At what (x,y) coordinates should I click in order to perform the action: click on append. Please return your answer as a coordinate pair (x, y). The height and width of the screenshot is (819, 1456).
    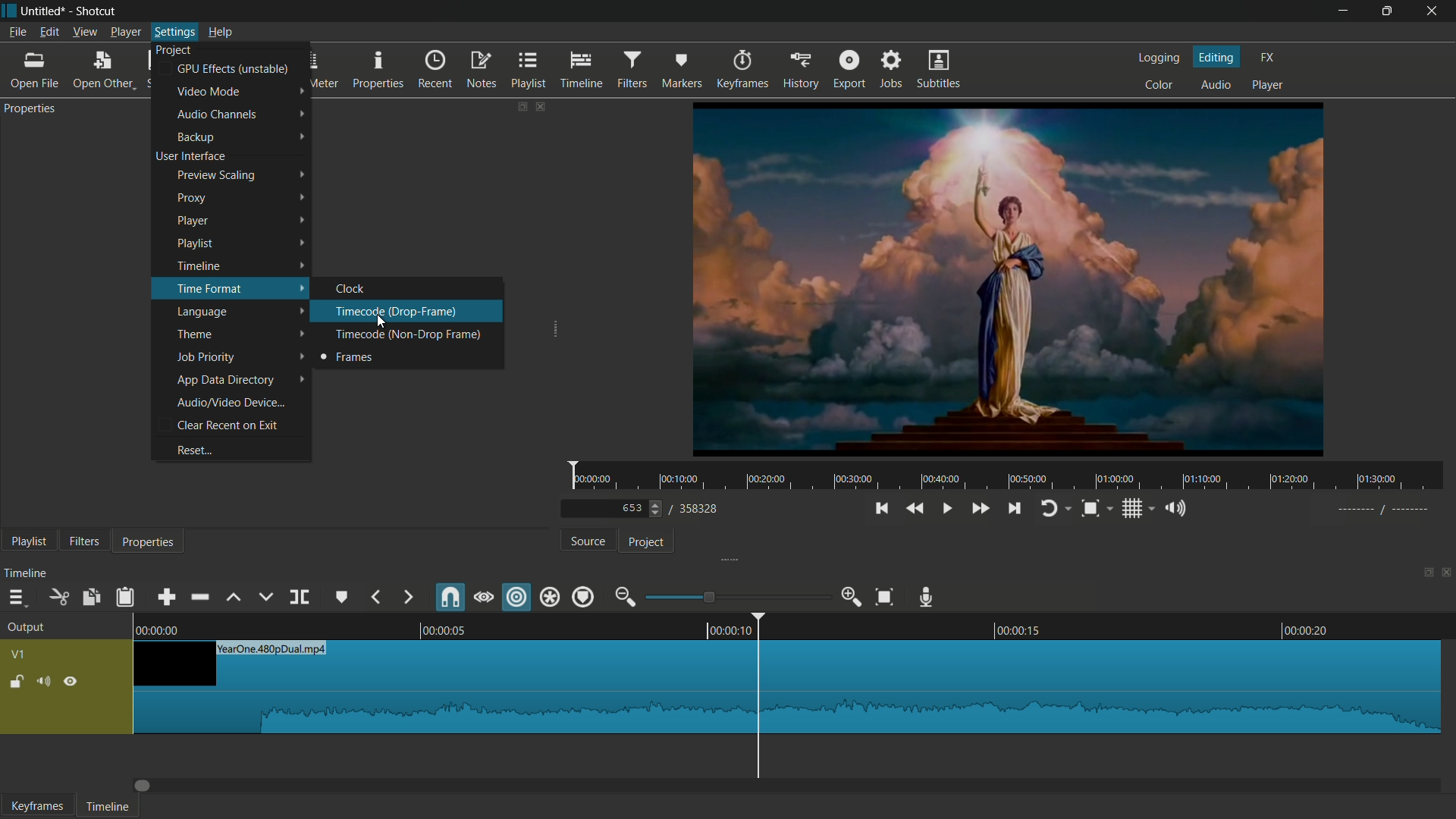
    Looking at the image, I should click on (168, 596).